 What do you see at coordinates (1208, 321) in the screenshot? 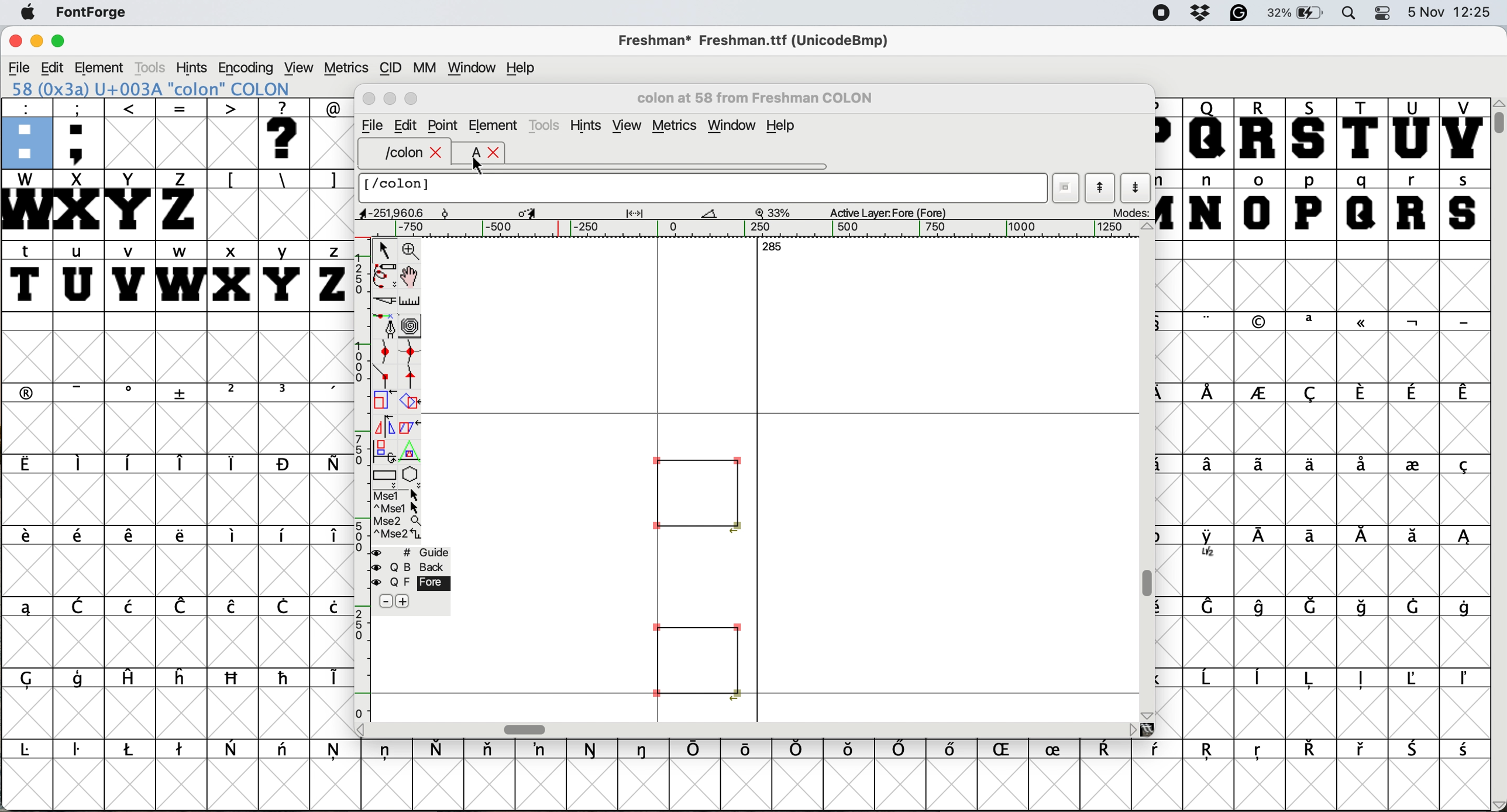
I see `symbol` at bounding box center [1208, 321].